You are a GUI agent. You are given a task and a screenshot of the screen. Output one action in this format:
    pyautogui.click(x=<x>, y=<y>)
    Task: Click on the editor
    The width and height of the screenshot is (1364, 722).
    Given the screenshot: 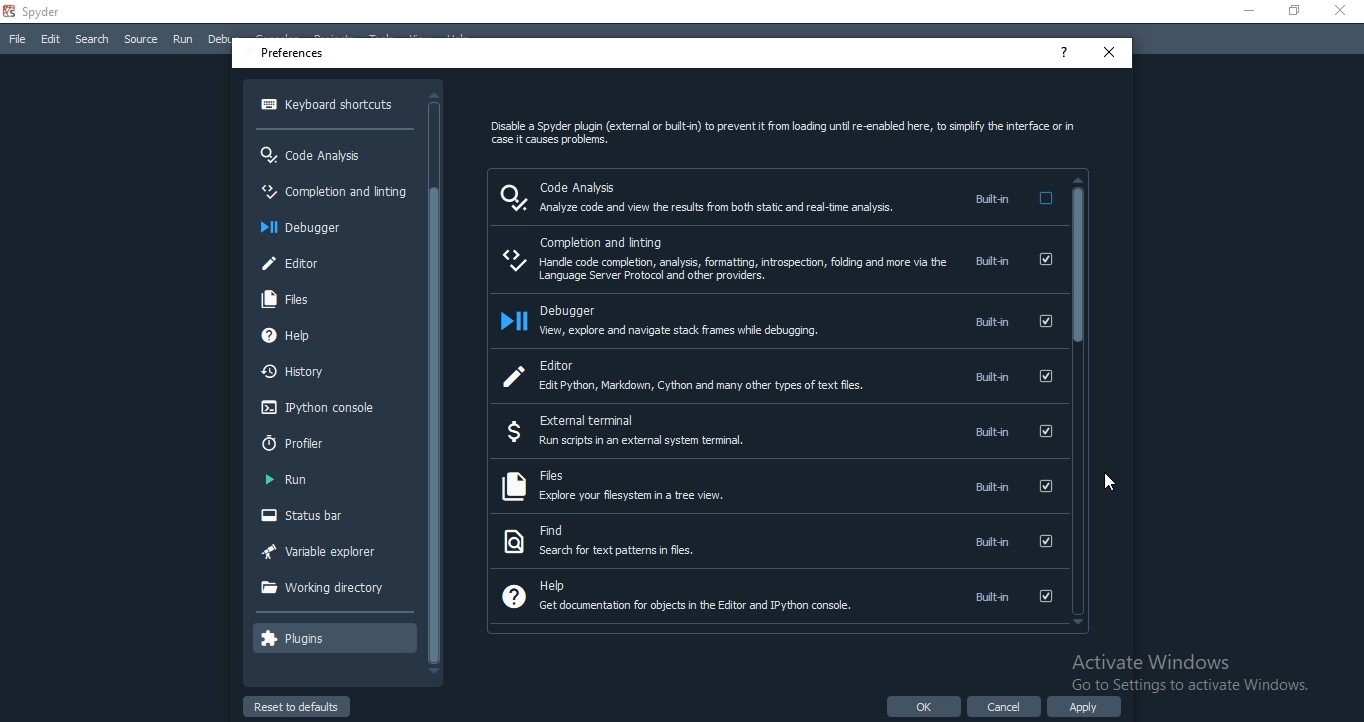 What is the action you would take?
    pyautogui.click(x=329, y=263)
    